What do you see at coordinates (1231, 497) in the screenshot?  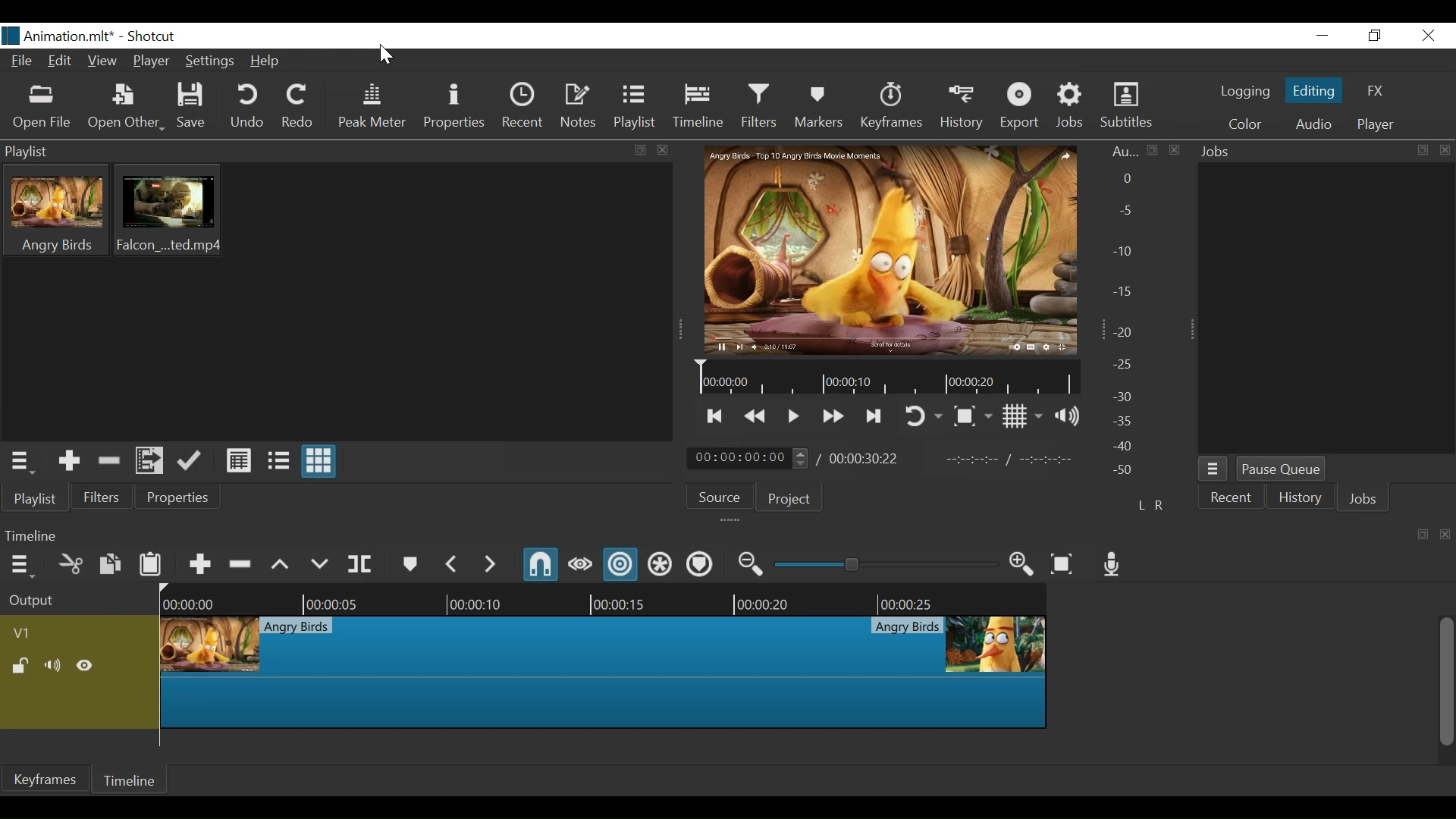 I see `Recent` at bounding box center [1231, 497].